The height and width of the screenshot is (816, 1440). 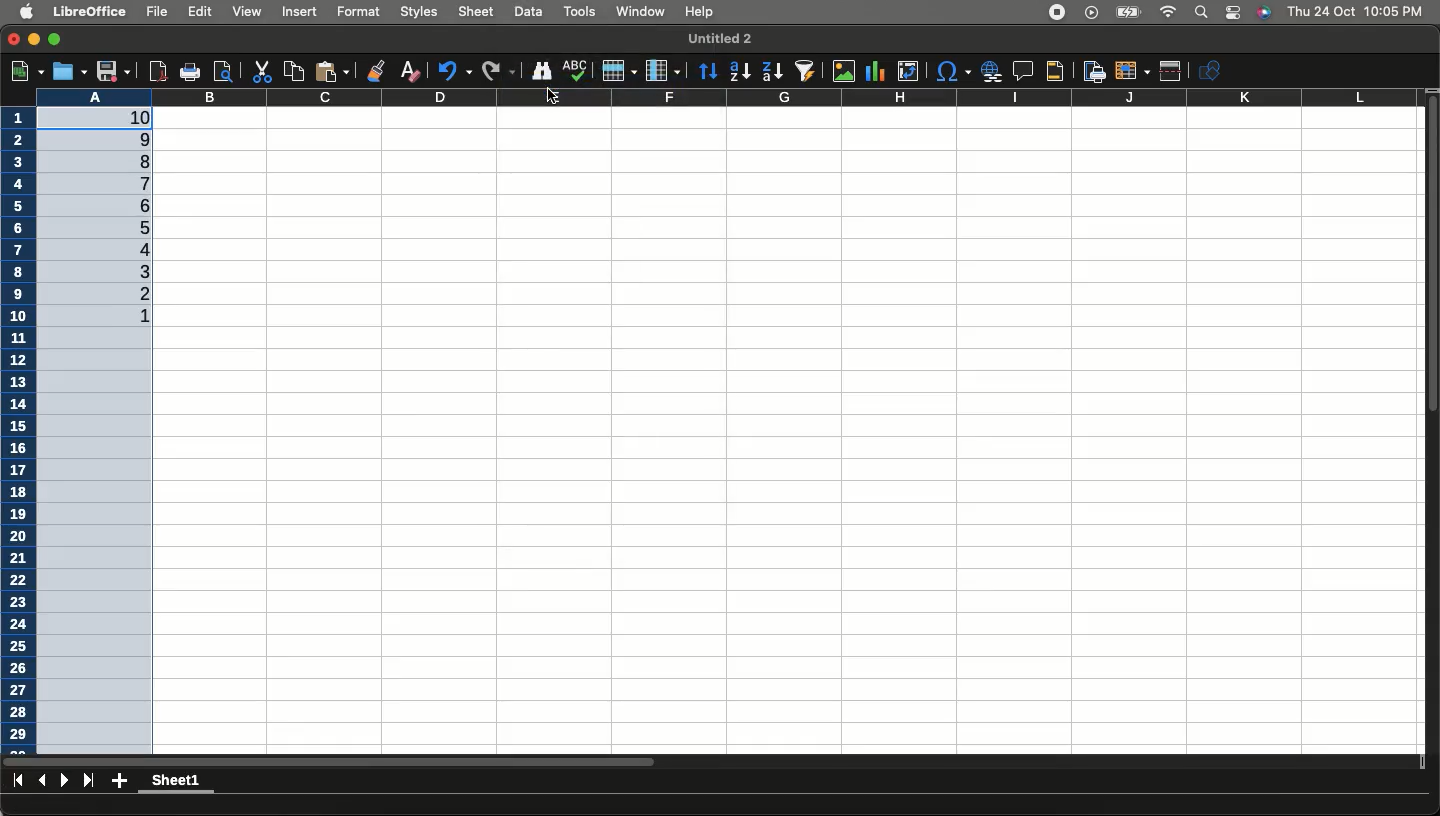 I want to click on Last sheet, so click(x=91, y=780).